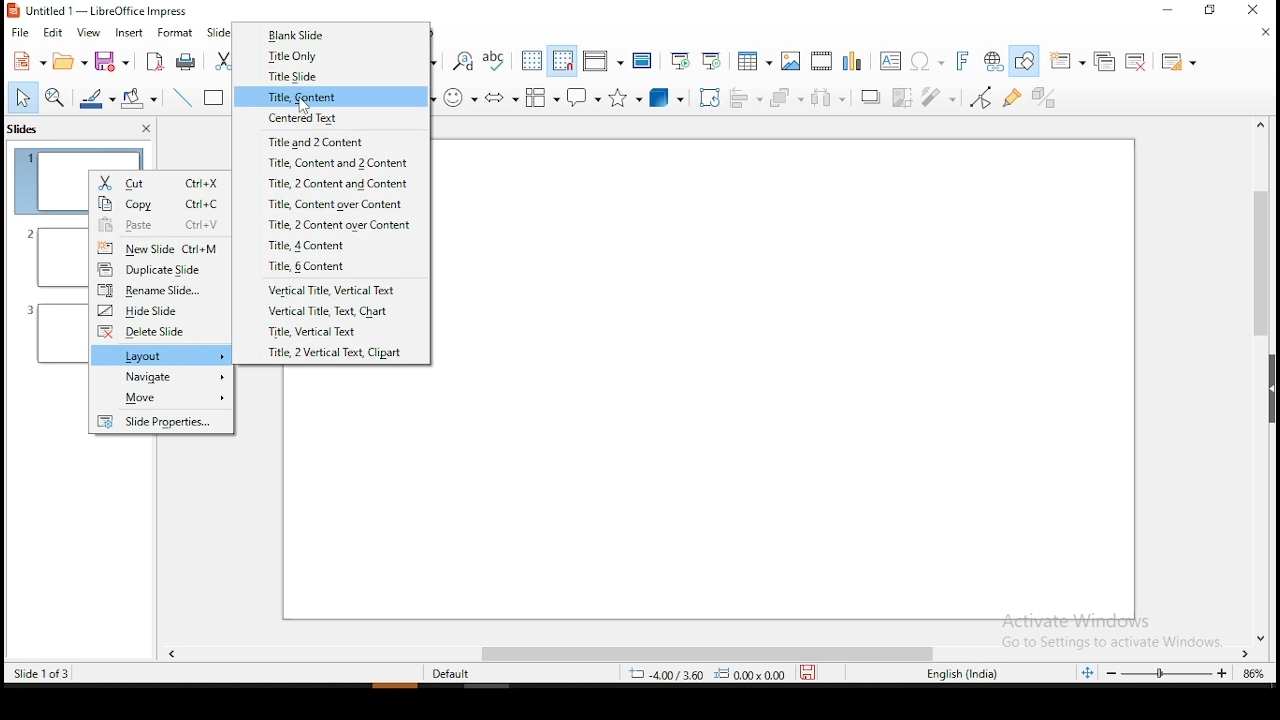 The height and width of the screenshot is (720, 1280). What do you see at coordinates (668, 675) in the screenshot?
I see `4.00/3.60` at bounding box center [668, 675].